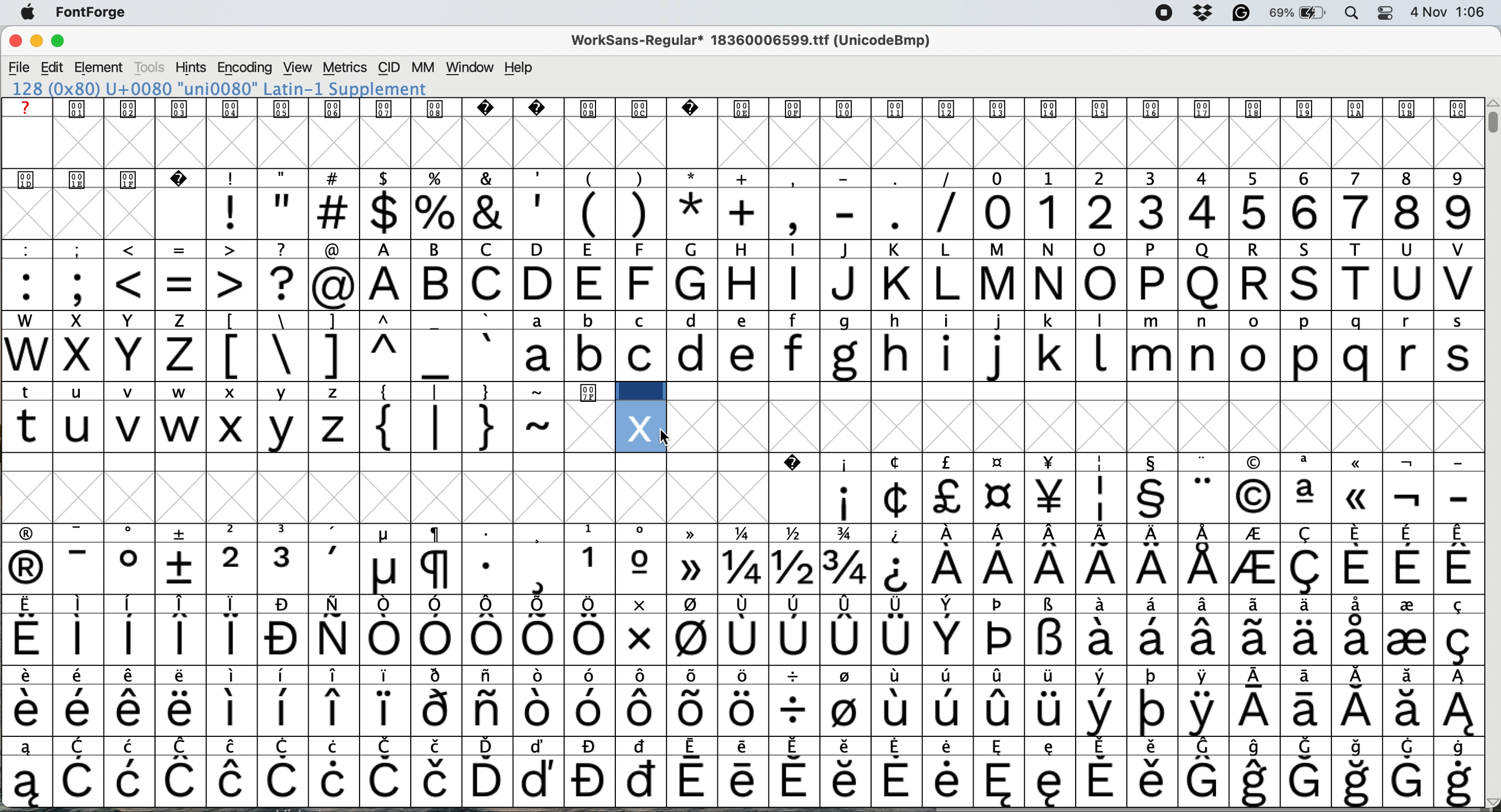 The width and height of the screenshot is (1501, 812). Describe the element at coordinates (756, 43) in the screenshot. I see `WorkSans-Regular 18360006599.ttf (UnicodeBmp)` at that location.